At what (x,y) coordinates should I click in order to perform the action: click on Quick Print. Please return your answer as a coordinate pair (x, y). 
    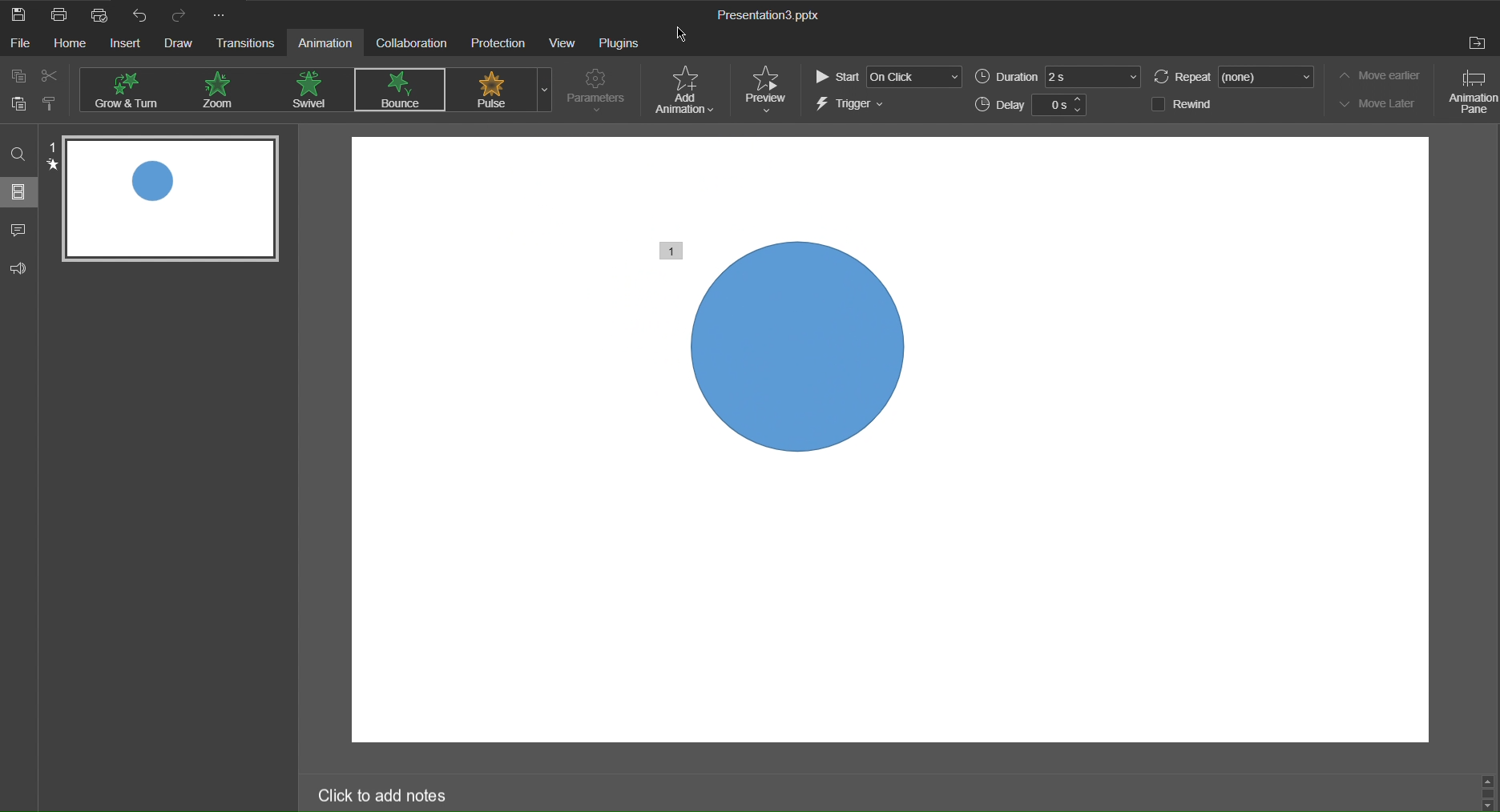
    Looking at the image, I should click on (98, 14).